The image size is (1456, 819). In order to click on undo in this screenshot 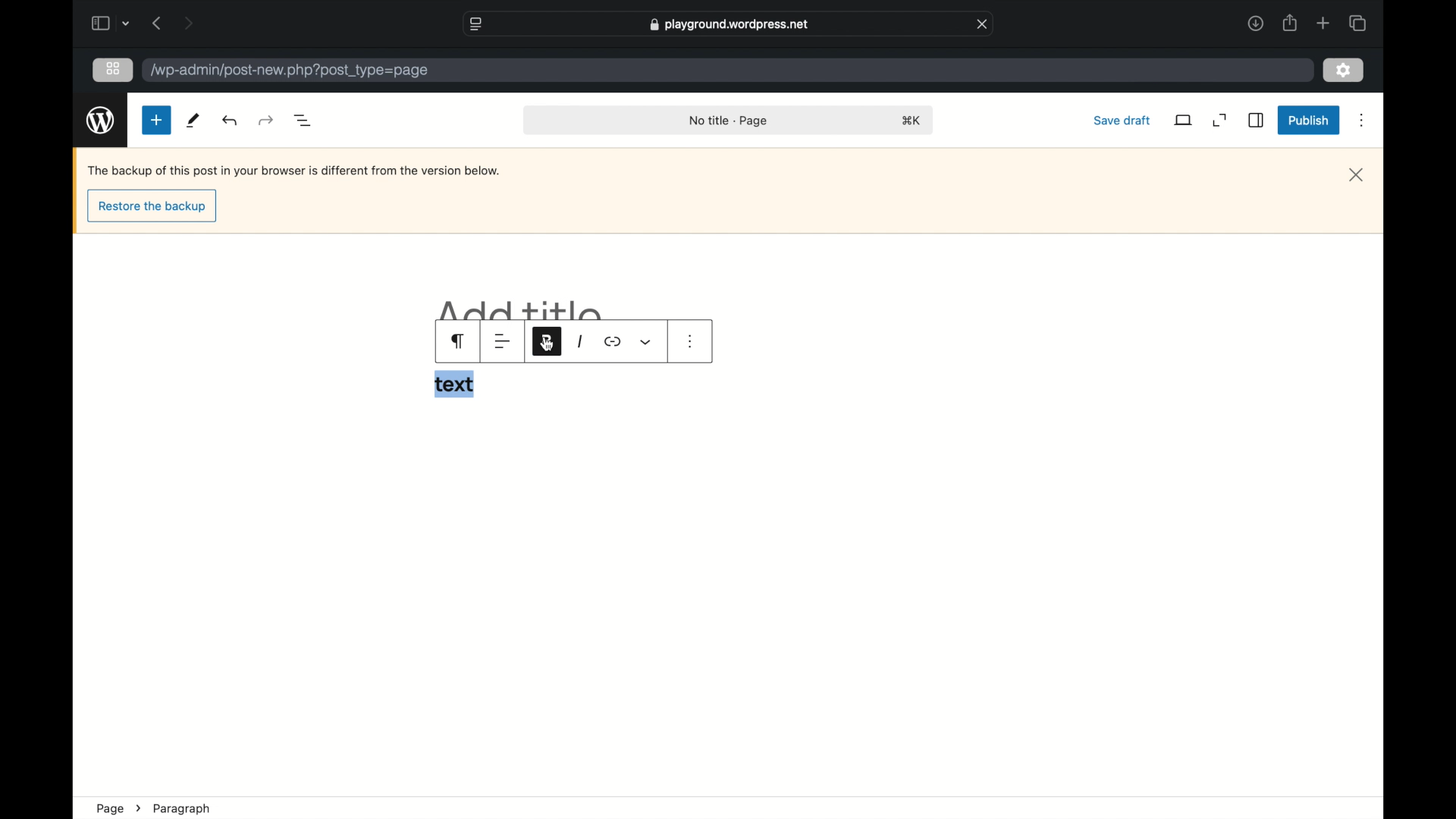, I will do `click(267, 120)`.